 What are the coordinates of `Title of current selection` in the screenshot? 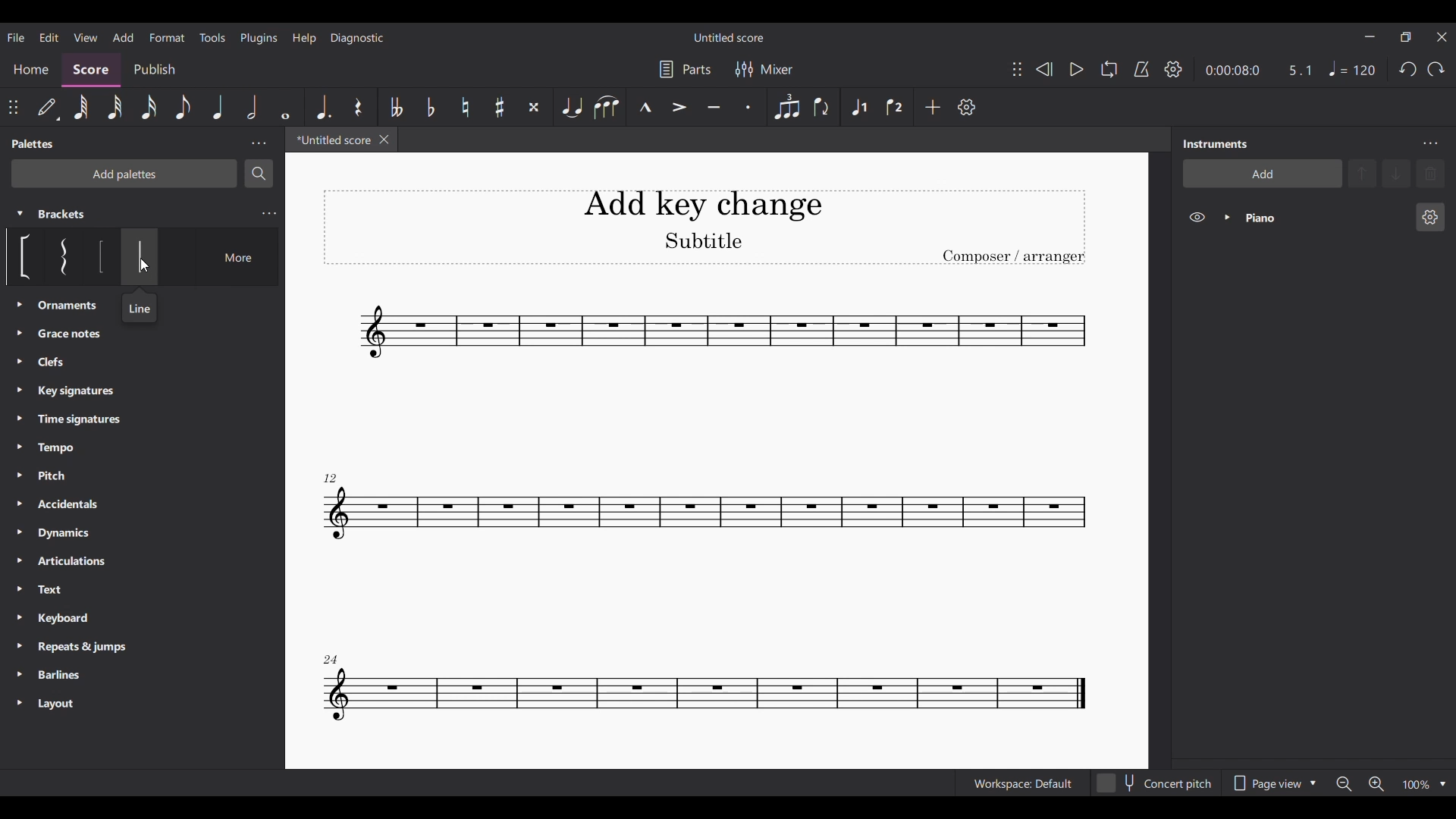 It's located at (62, 214).